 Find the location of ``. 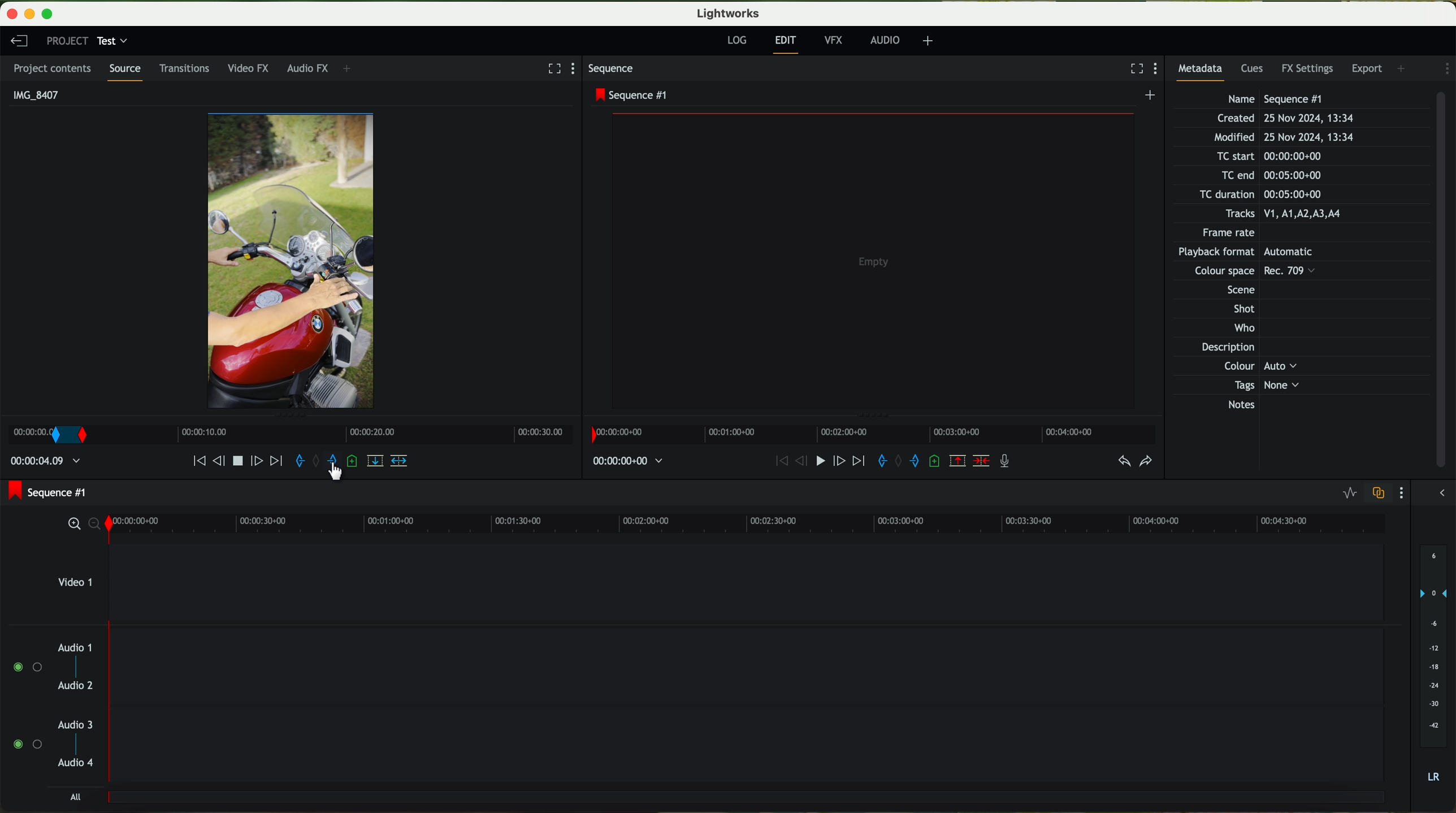

 is located at coordinates (1256, 253).